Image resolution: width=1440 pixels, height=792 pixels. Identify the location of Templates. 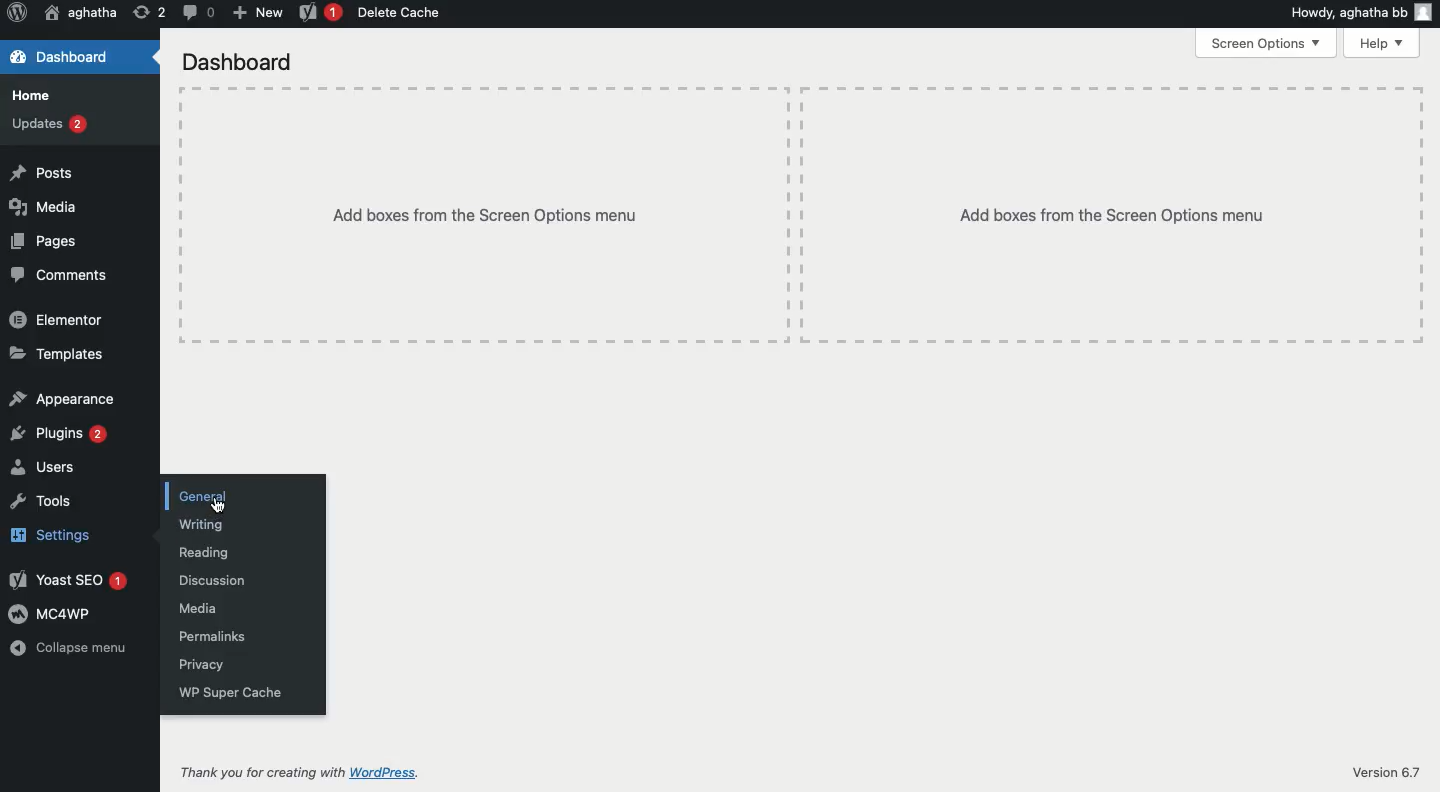
(53, 354).